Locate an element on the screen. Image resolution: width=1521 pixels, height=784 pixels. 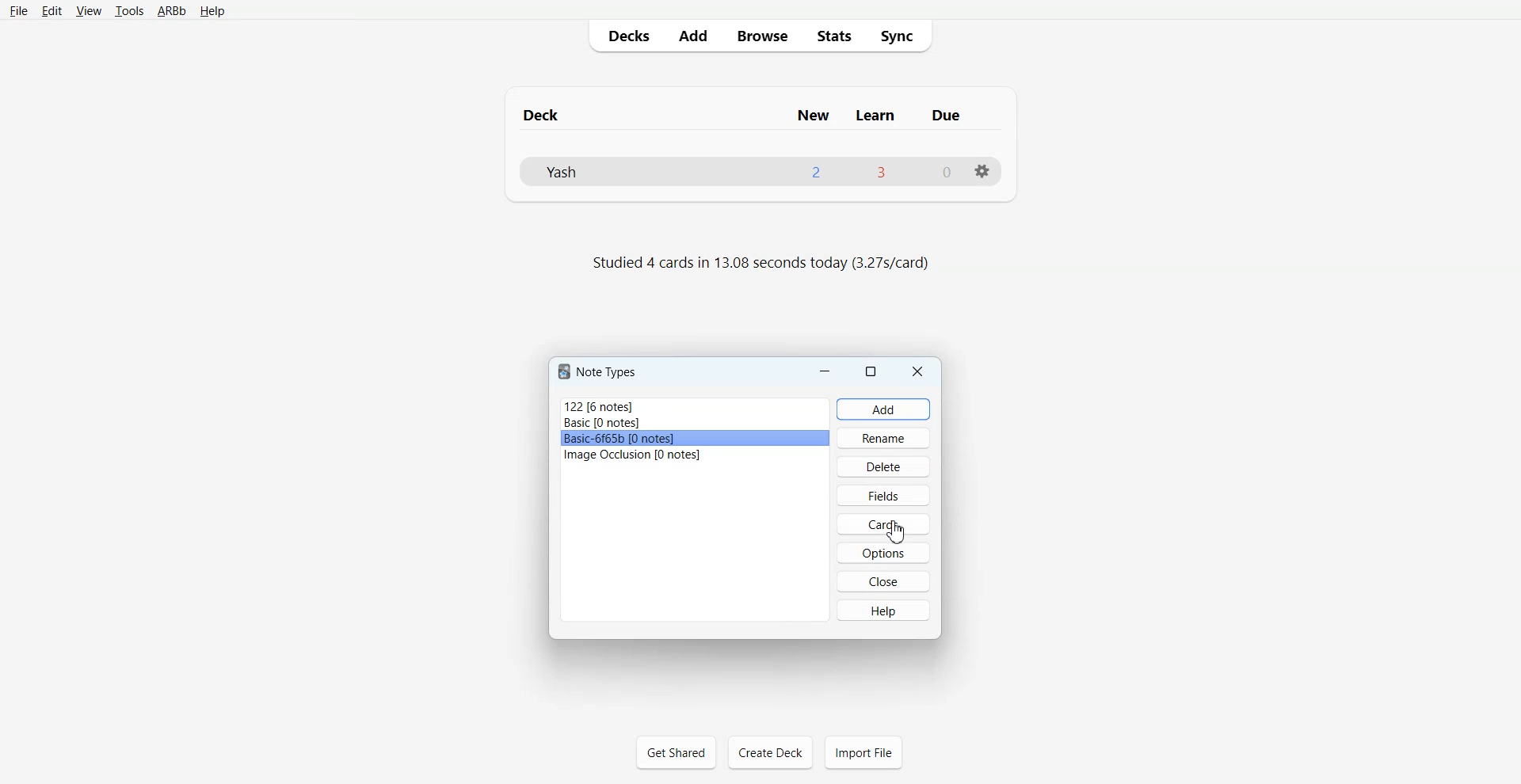
Settings is located at coordinates (983, 172).